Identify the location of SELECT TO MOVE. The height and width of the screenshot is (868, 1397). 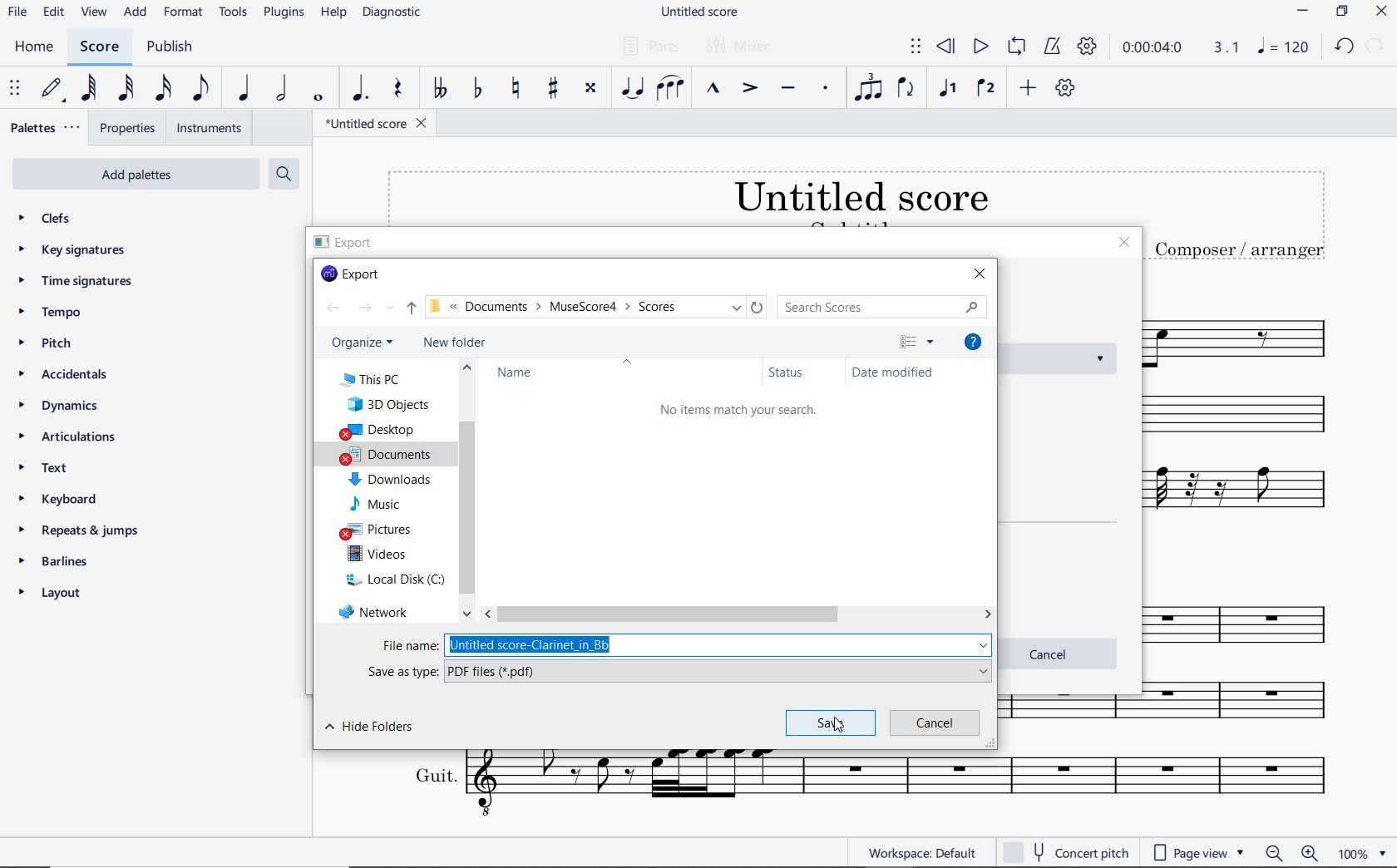
(915, 46).